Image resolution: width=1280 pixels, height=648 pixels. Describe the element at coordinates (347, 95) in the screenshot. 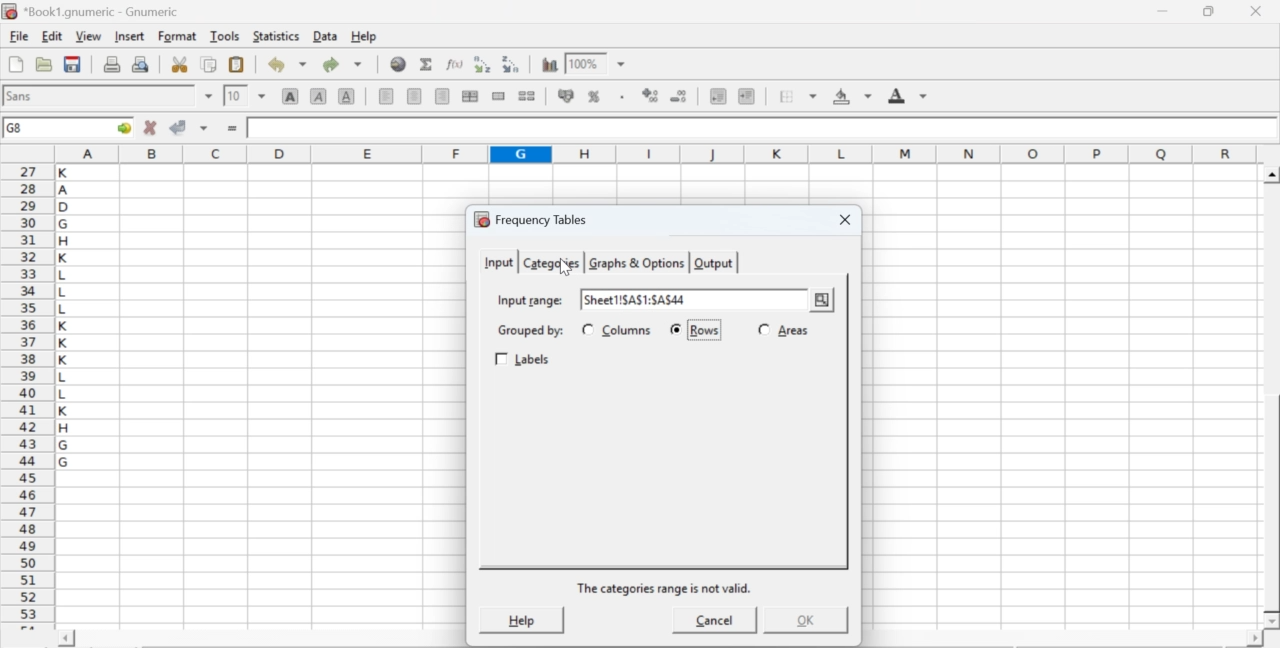

I see `underline` at that location.